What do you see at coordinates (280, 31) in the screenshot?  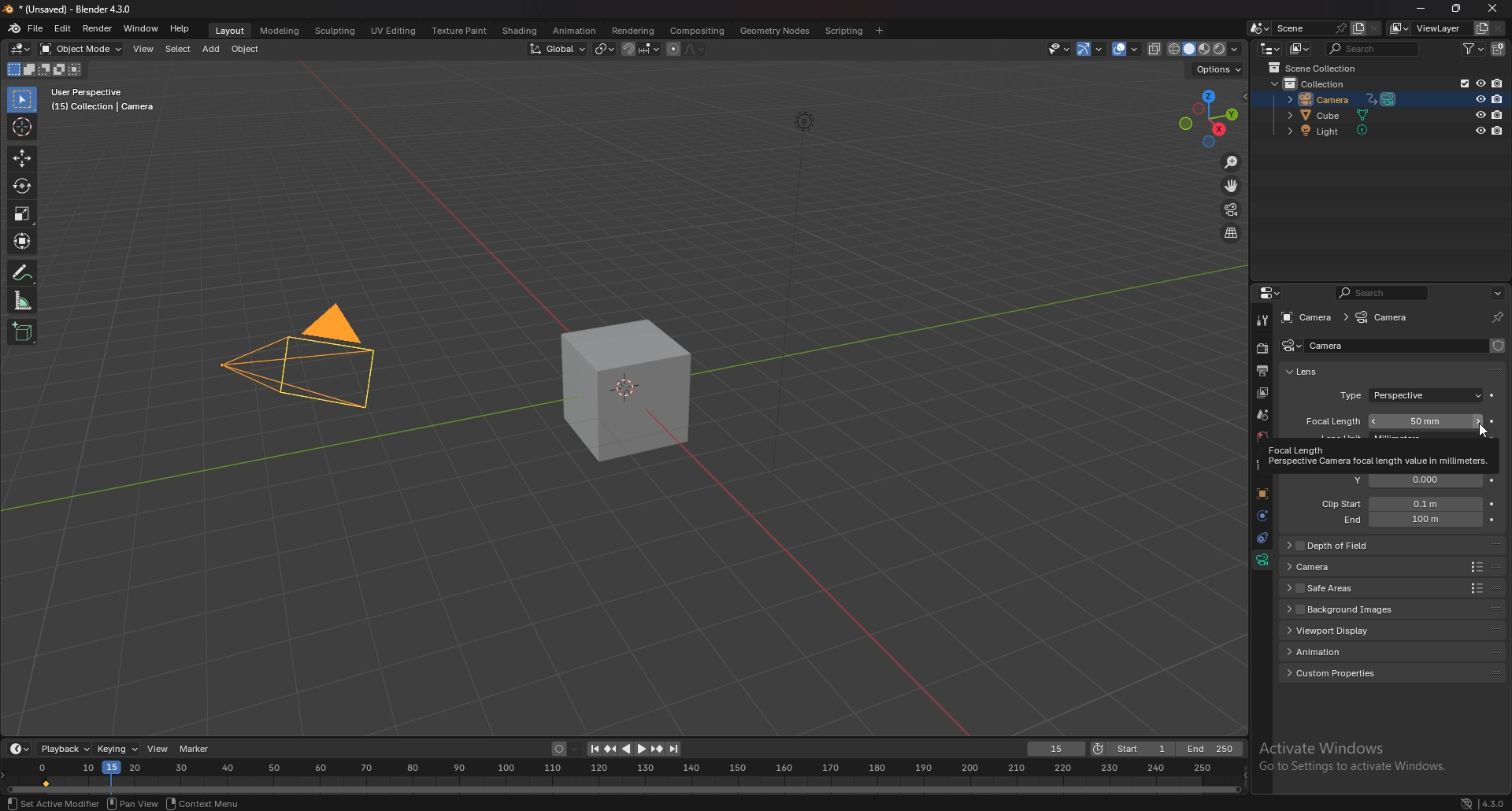 I see `modeling` at bounding box center [280, 31].